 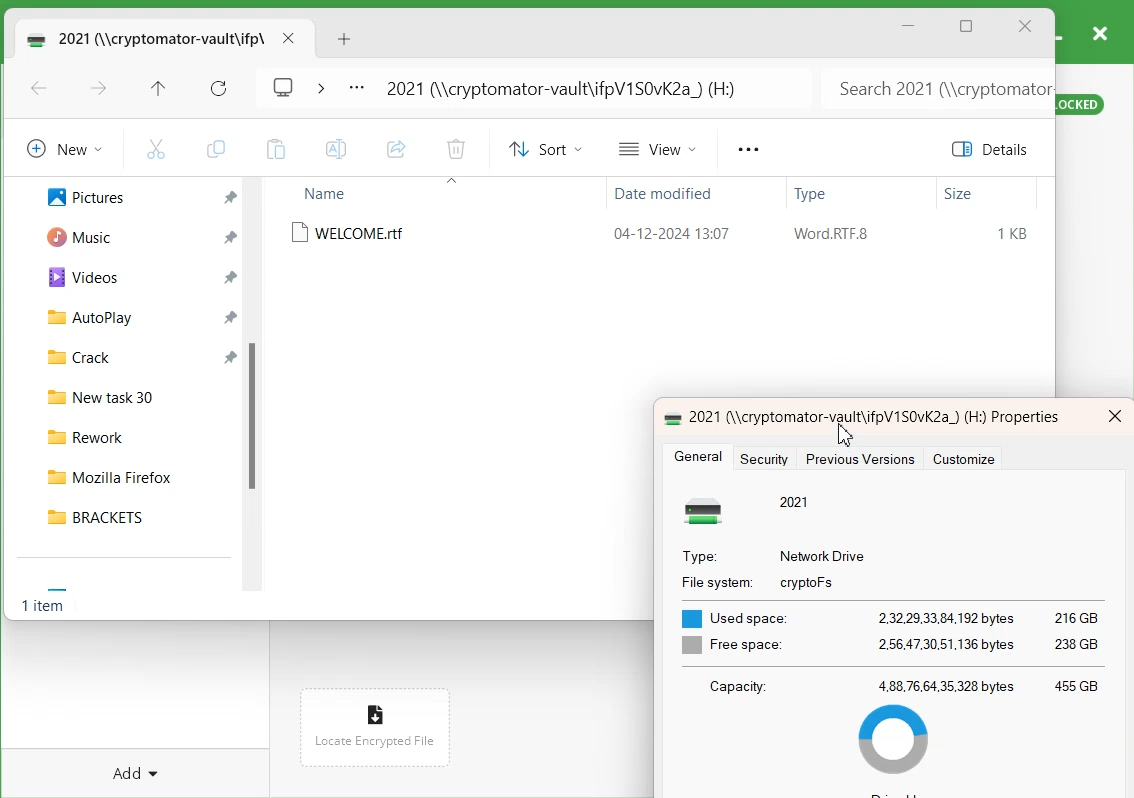 I want to click on icon, so click(x=669, y=416).